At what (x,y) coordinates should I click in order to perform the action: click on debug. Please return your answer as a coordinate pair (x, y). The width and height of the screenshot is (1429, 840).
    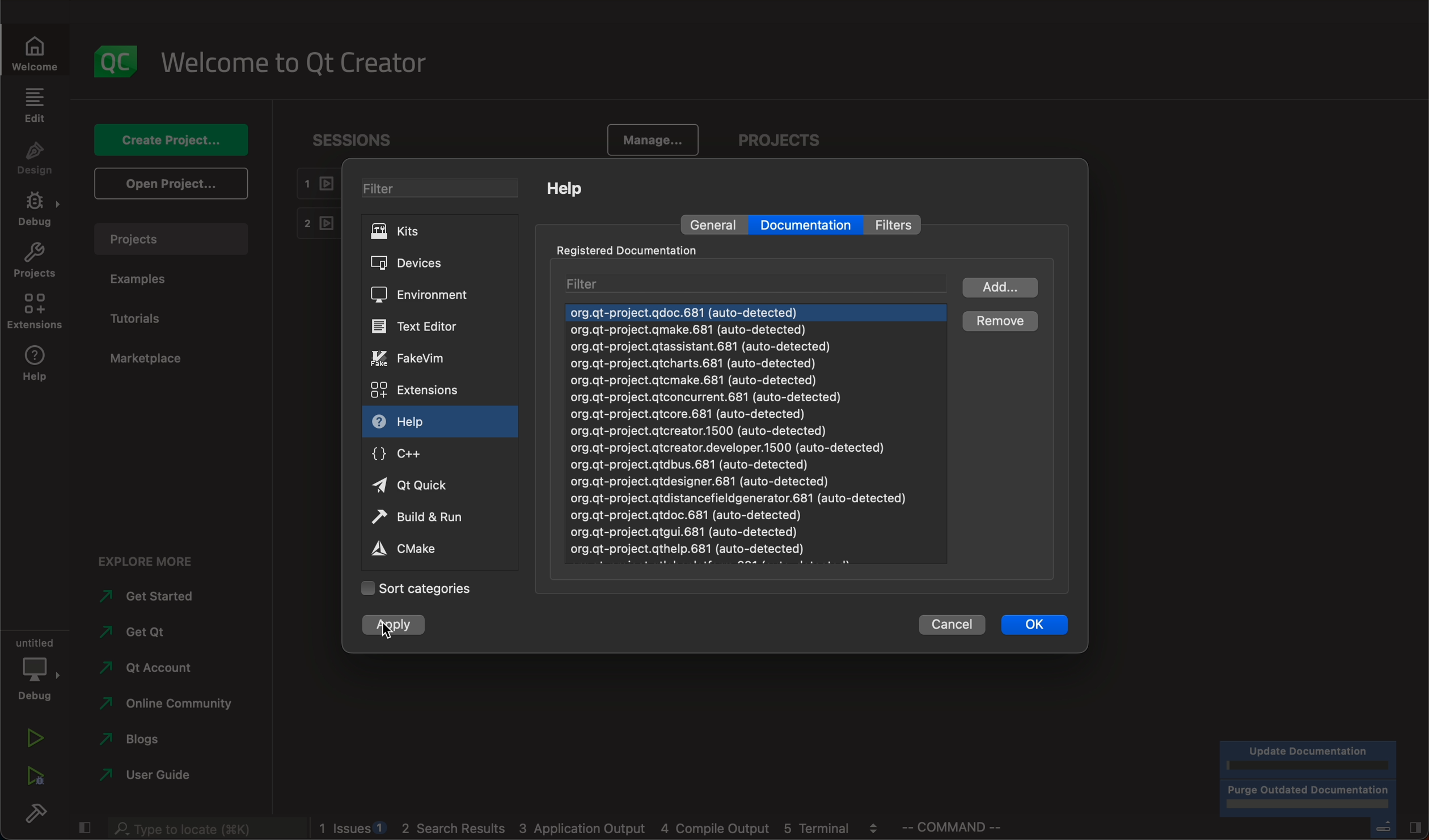
    Looking at the image, I should click on (37, 212).